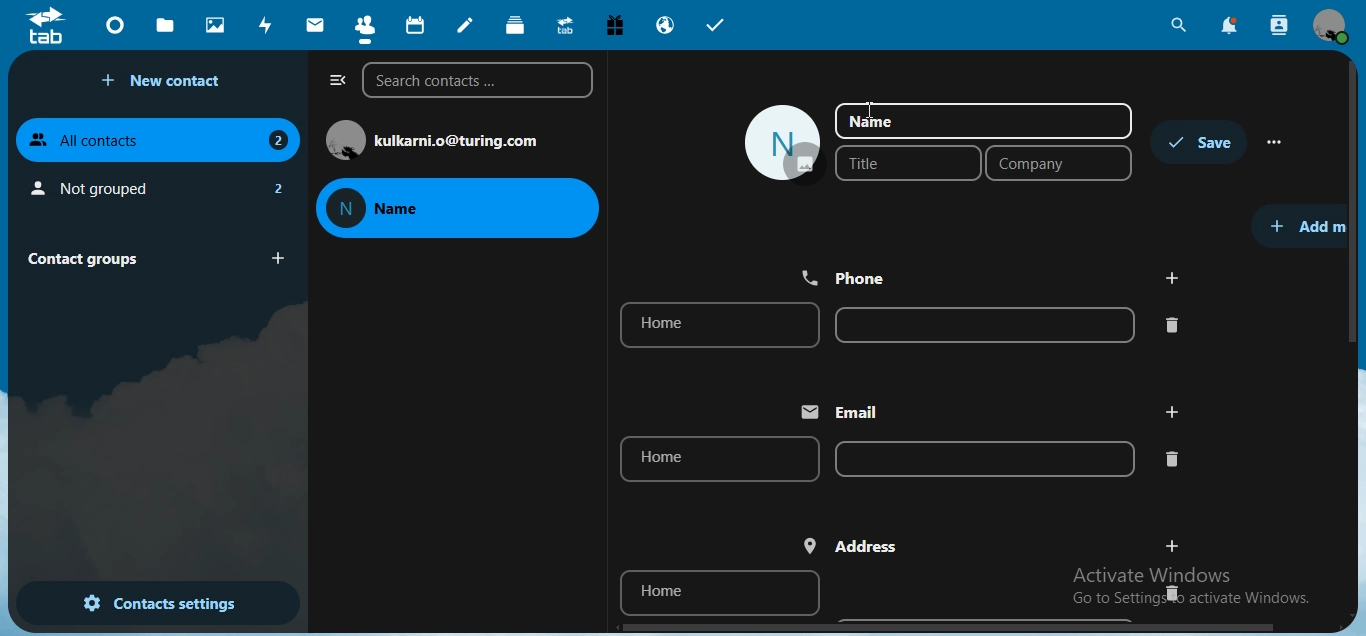 This screenshot has width=1366, height=636. What do you see at coordinates (467, 25) in the screenshot?
I see `notes` at bounding box center [467, 25].